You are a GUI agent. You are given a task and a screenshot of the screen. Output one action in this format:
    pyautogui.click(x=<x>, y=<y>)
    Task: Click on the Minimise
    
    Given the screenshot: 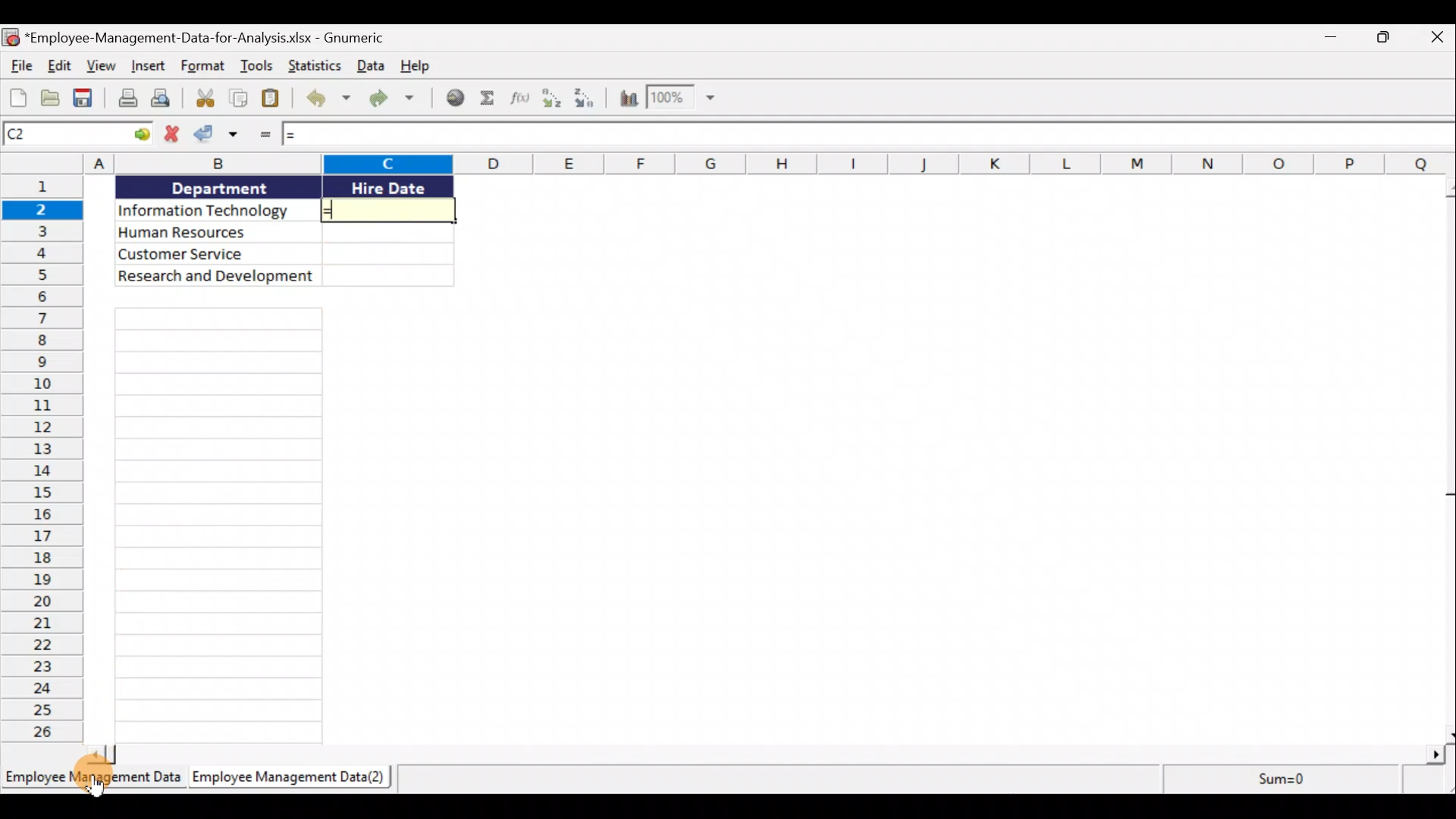 What is the action you would take?
    pyautogui.click(x=1332, y=36)
    